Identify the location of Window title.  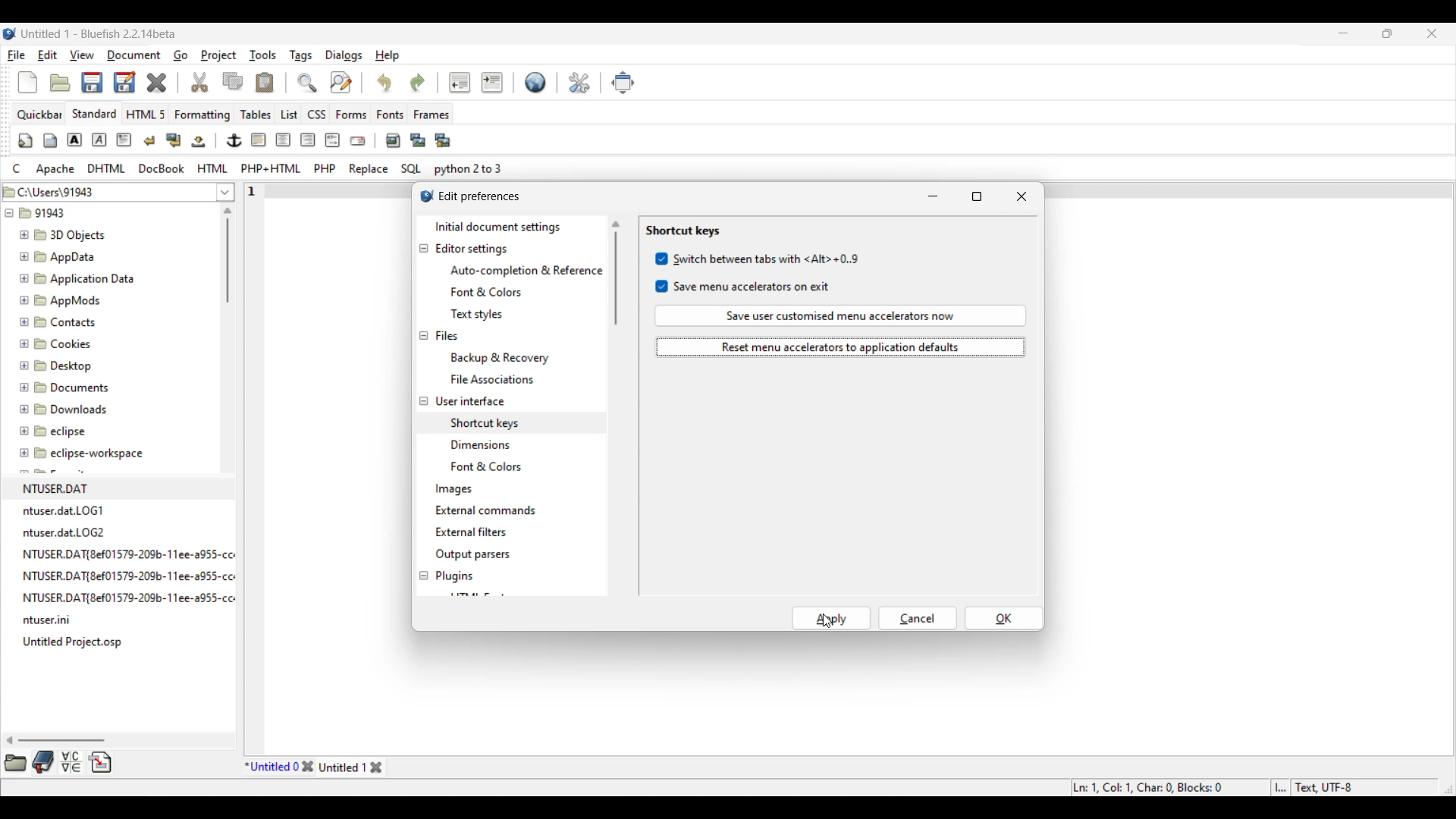
(480, 196).